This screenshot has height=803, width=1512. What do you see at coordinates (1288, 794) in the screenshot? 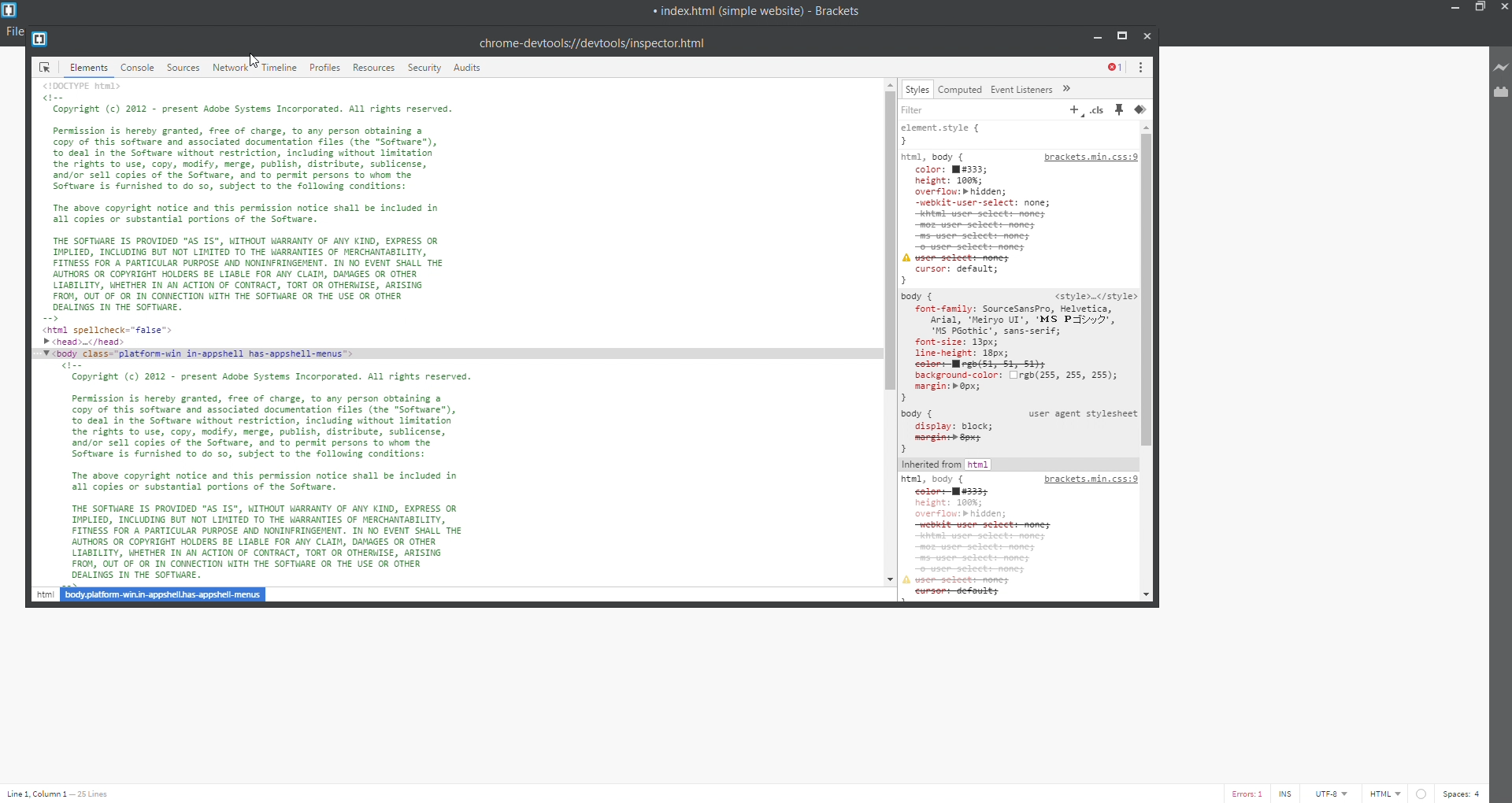
I see `toggle cursor` at bounding box center [1288, 794].